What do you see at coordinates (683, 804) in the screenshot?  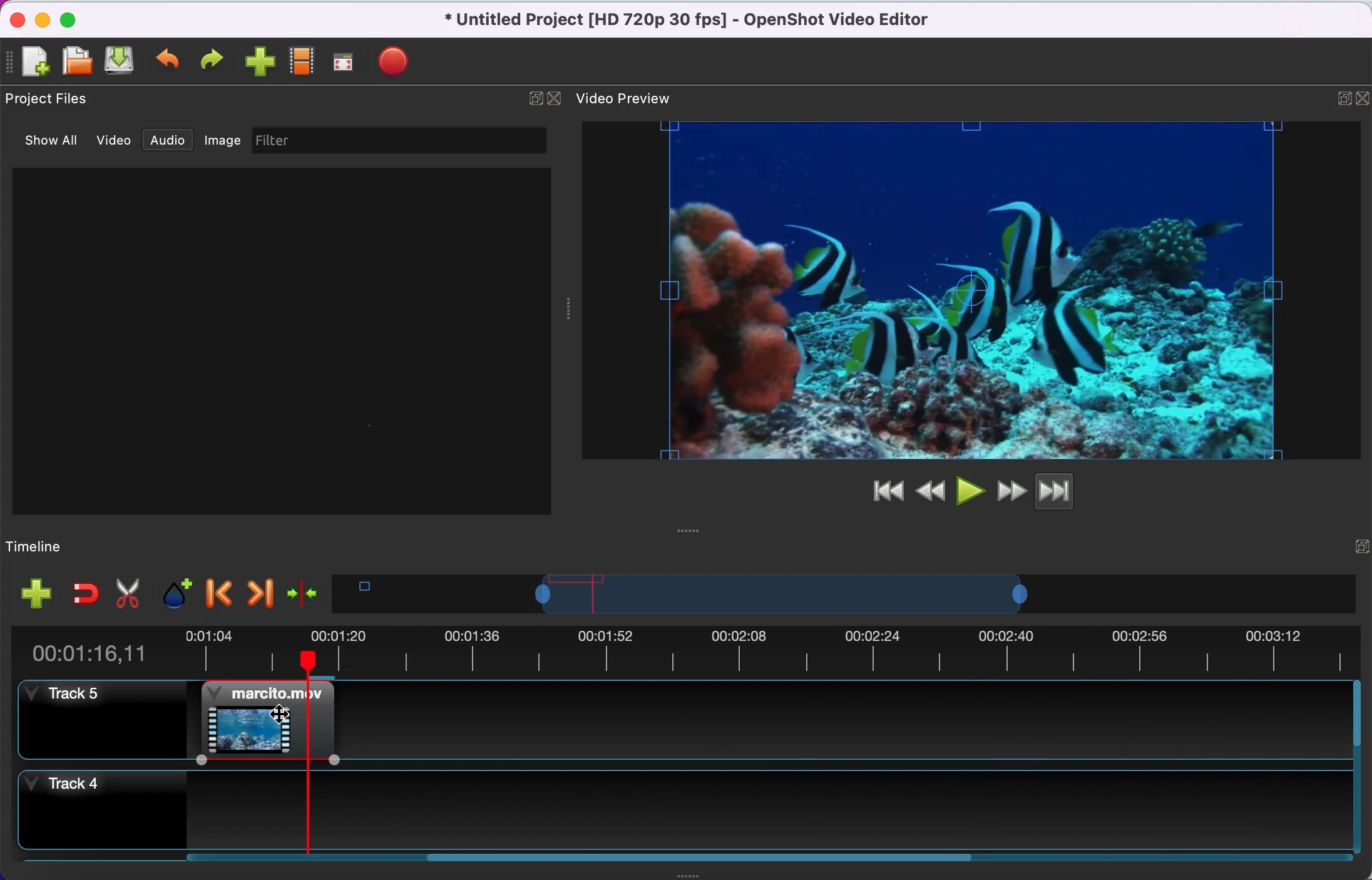 I see `track 4` at bounding box center [683, 804].